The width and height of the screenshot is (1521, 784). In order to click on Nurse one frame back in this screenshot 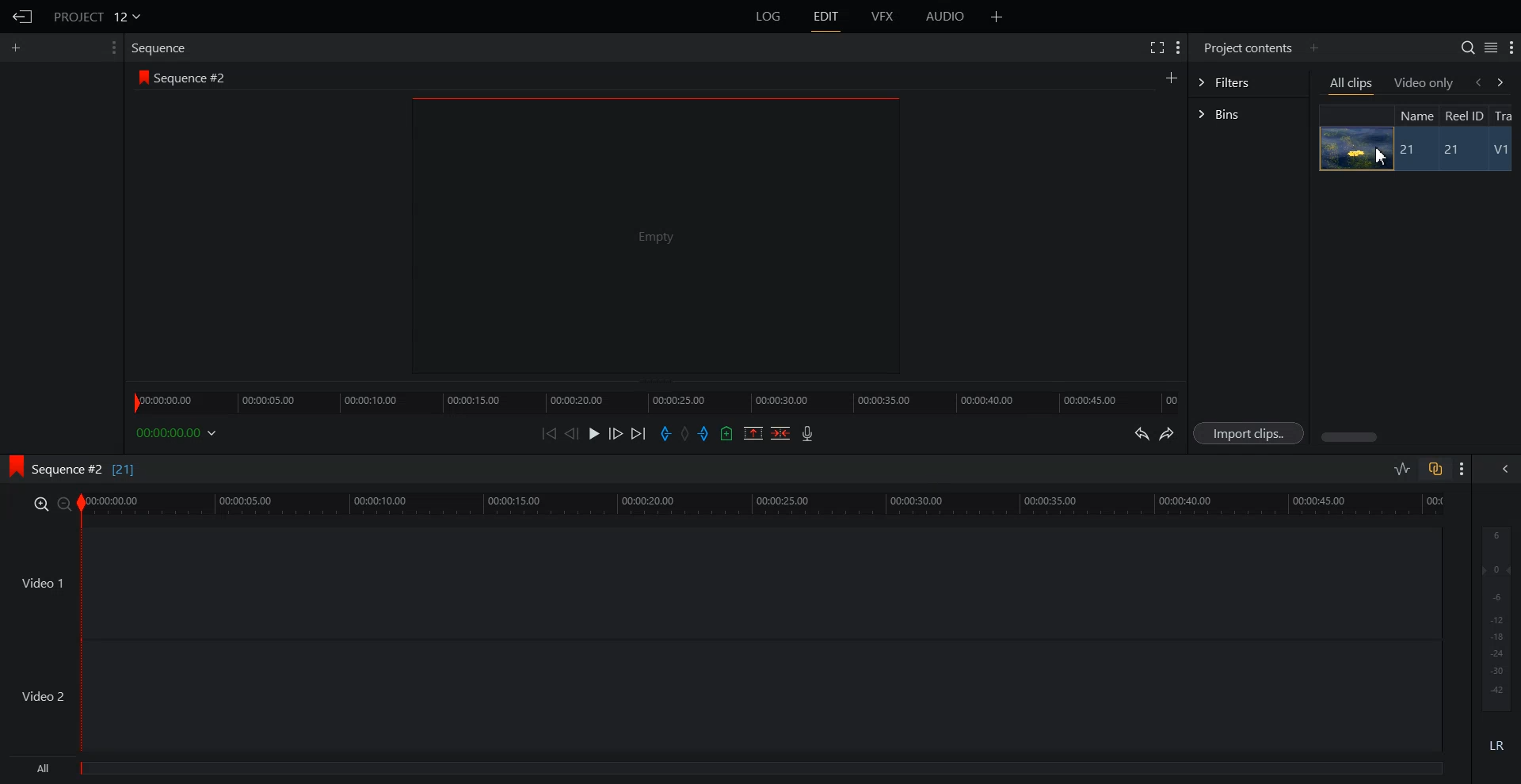, I will do `click(572, 433)`.